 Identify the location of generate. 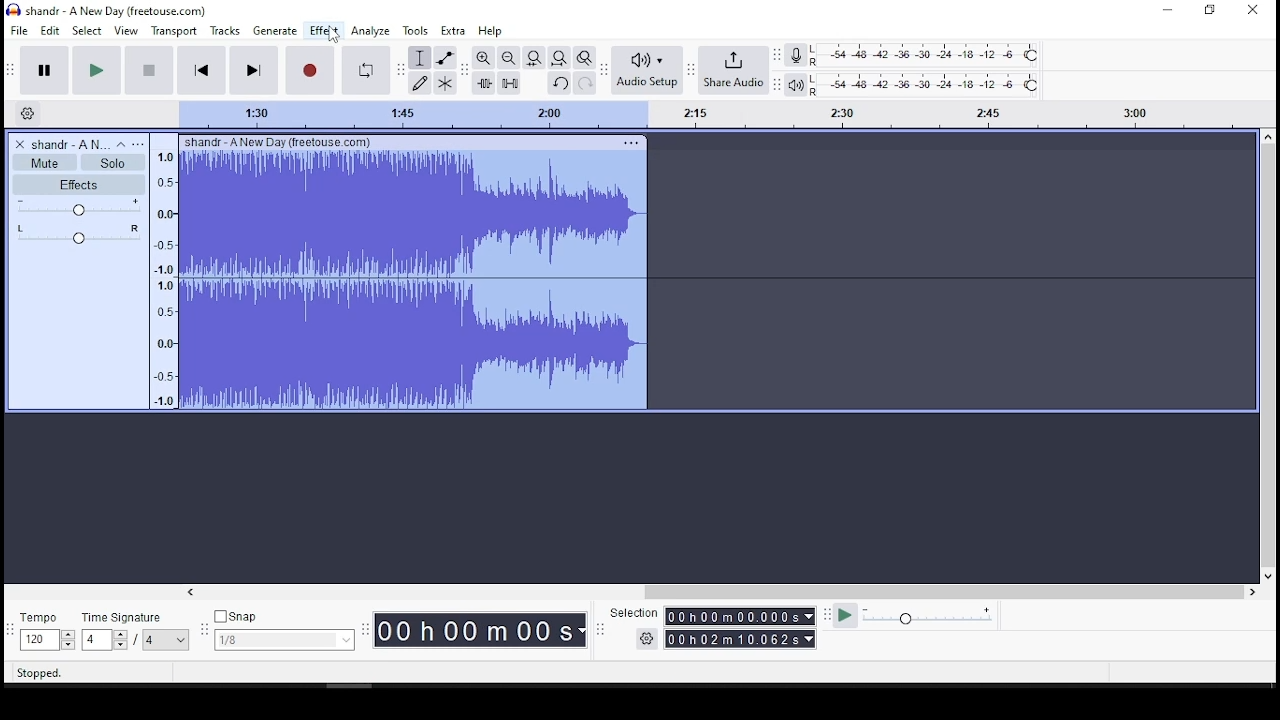
(275, 31).